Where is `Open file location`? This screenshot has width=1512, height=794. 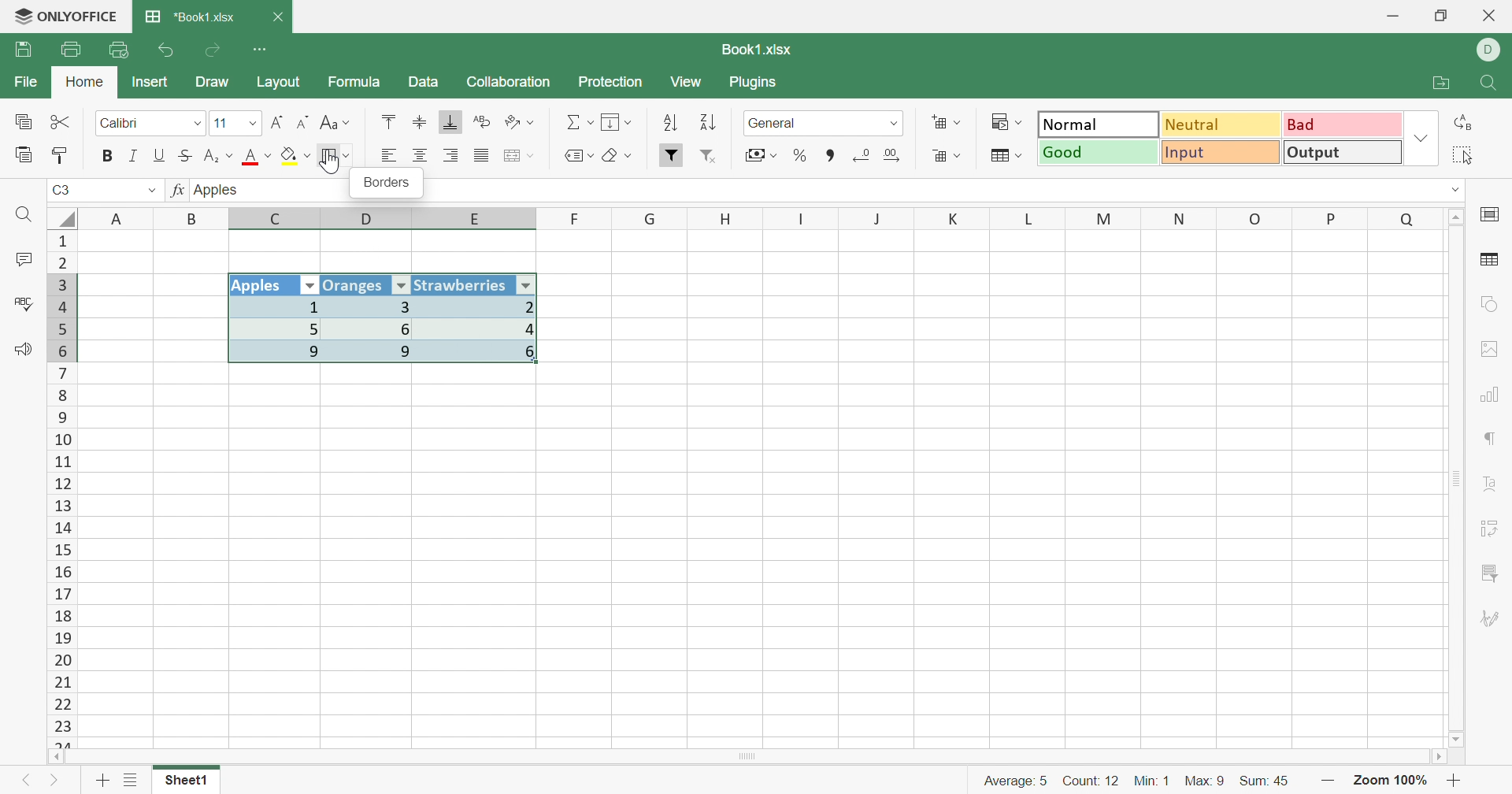
Open file location is located at coordinates (1445, 83).